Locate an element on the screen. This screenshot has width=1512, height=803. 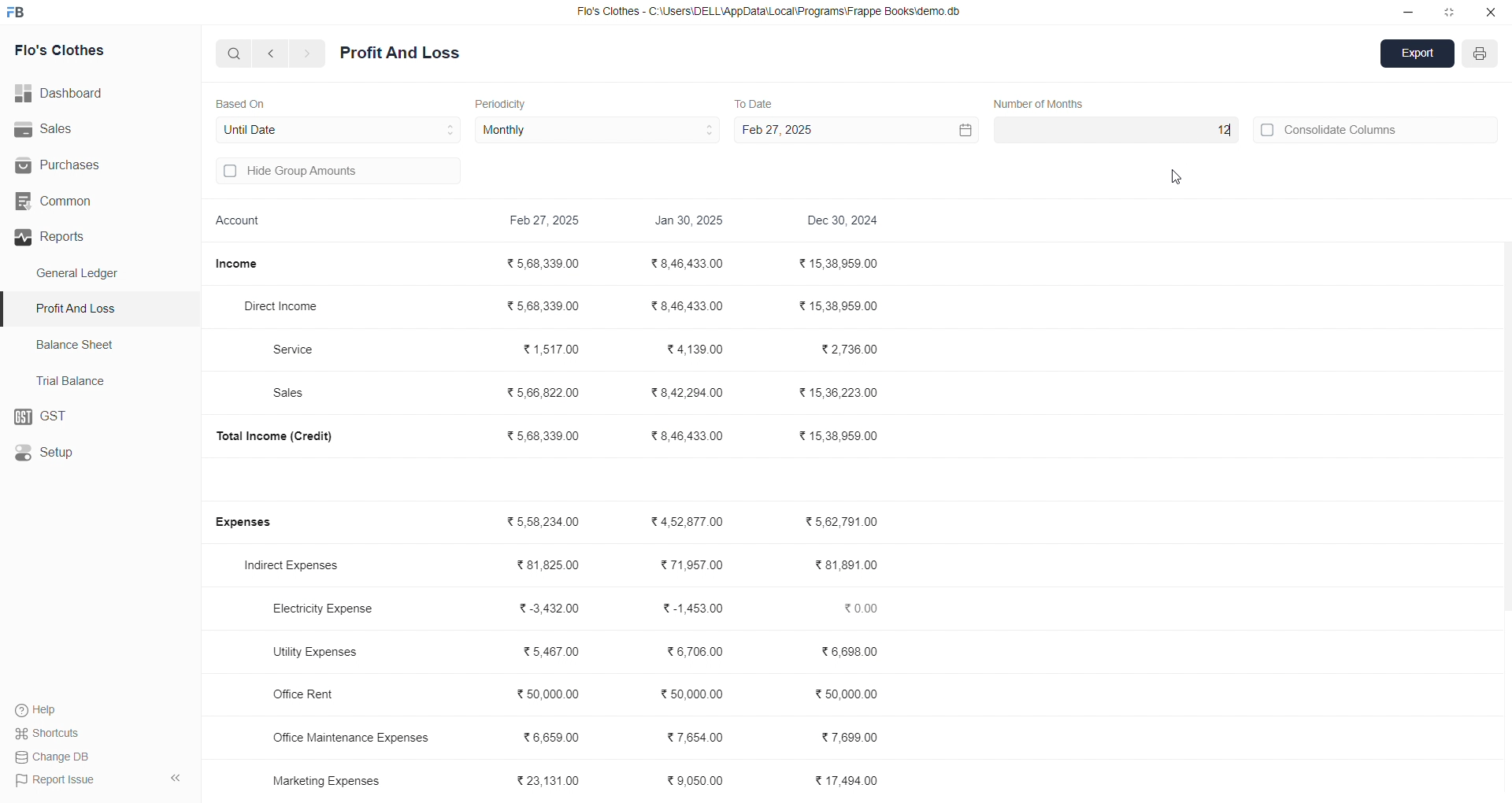
₹15,36,223.00 is located at coordinates (838, 390).